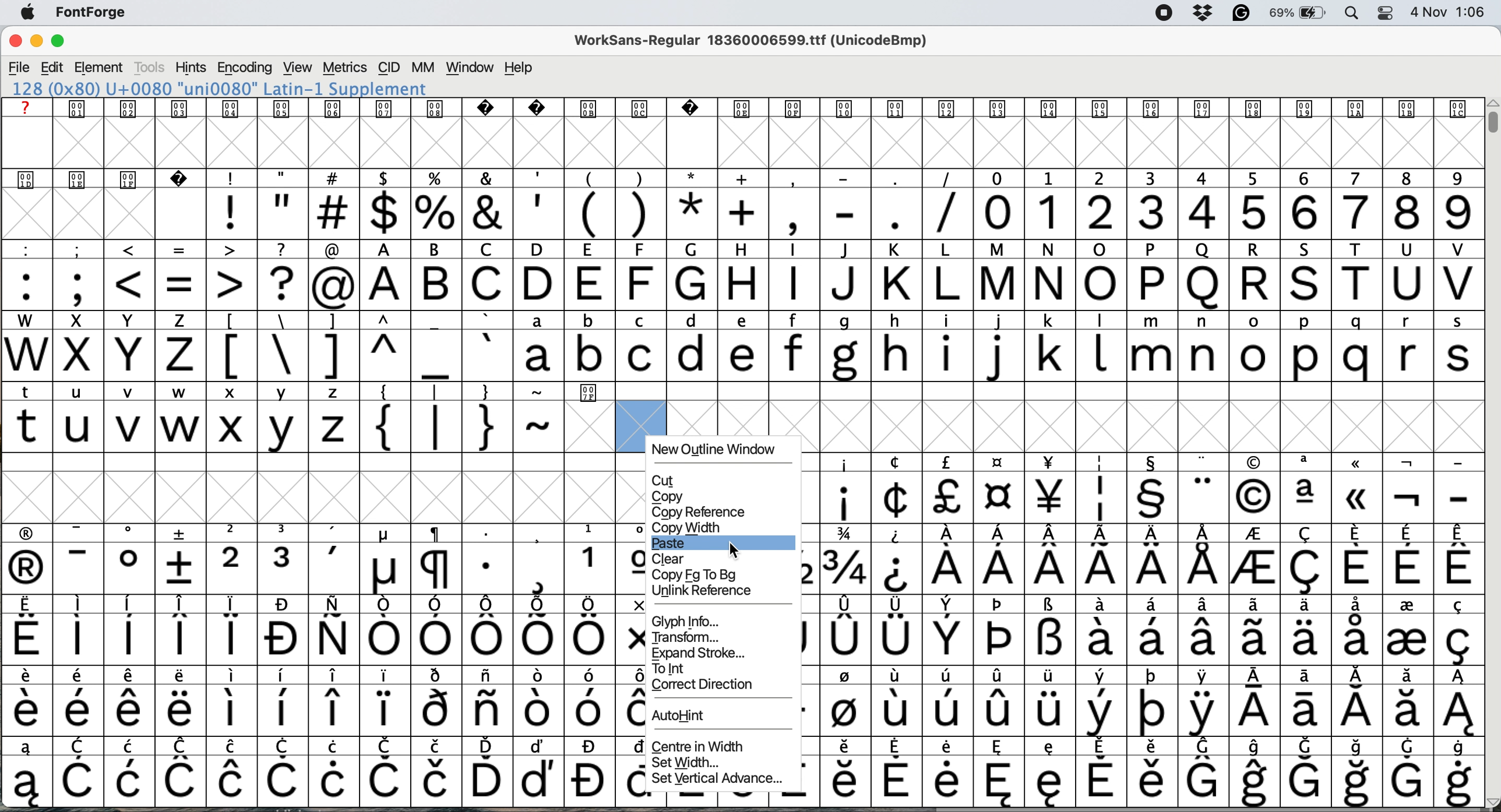  What do you see at coordinates (749, 144) in the screenshot?
I see `glyph grid` at bounding box center [749, 144].